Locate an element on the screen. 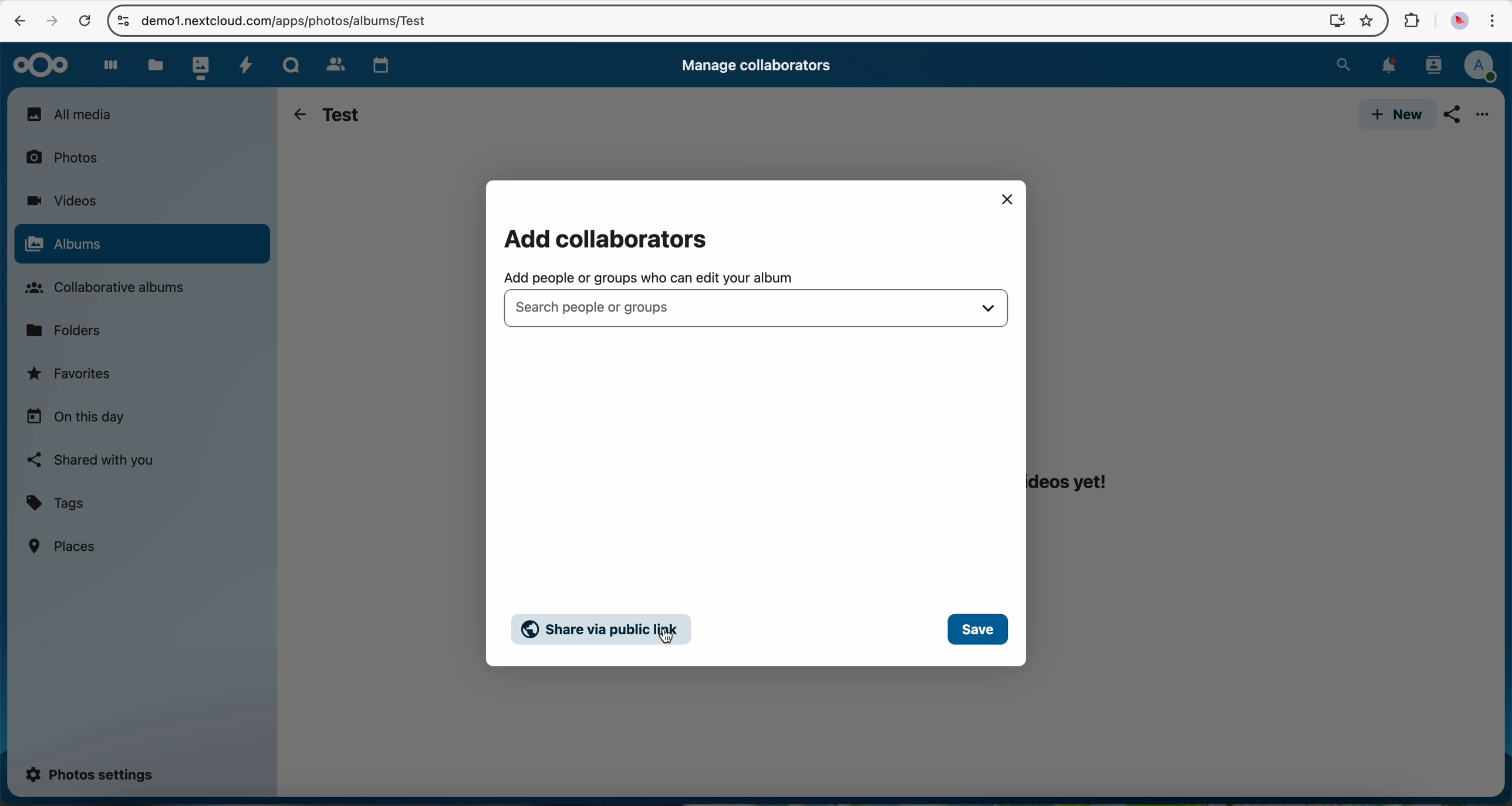  search people or groups is located at coordinates (757, 307).